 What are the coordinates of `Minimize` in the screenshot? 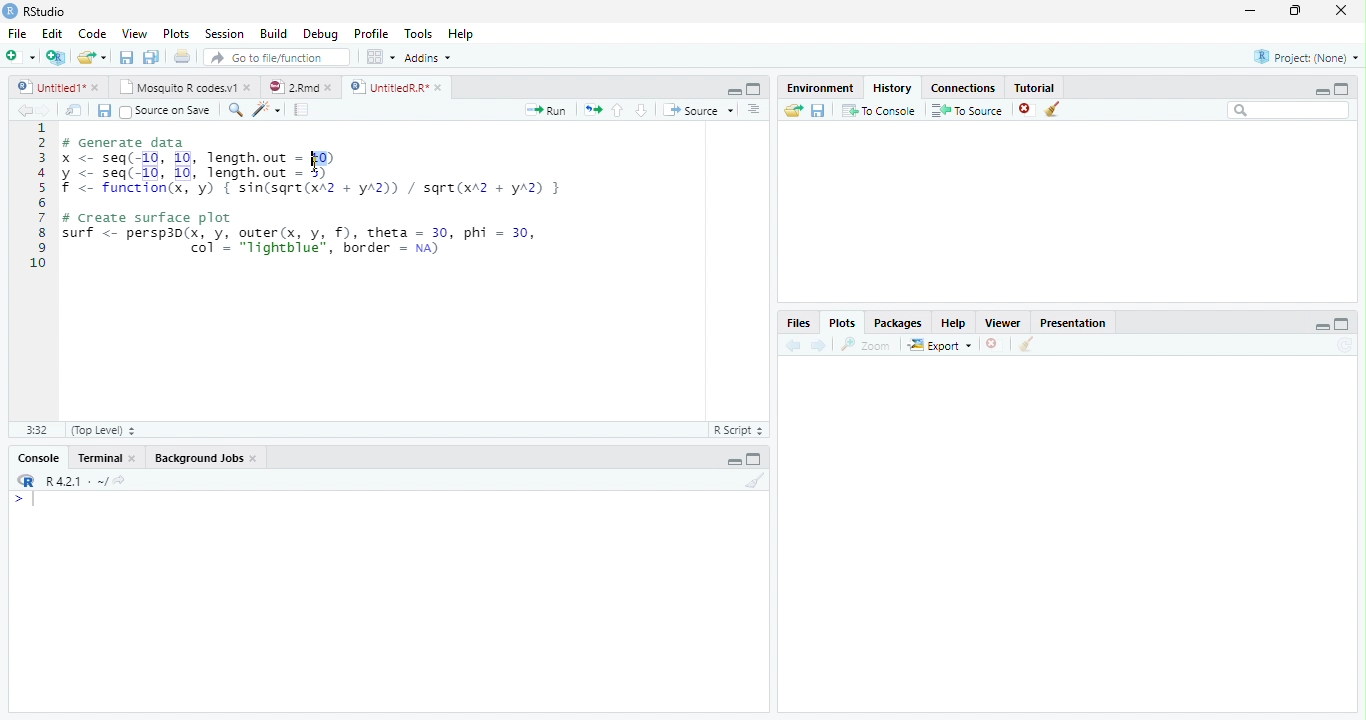 It's located at (734, 461).